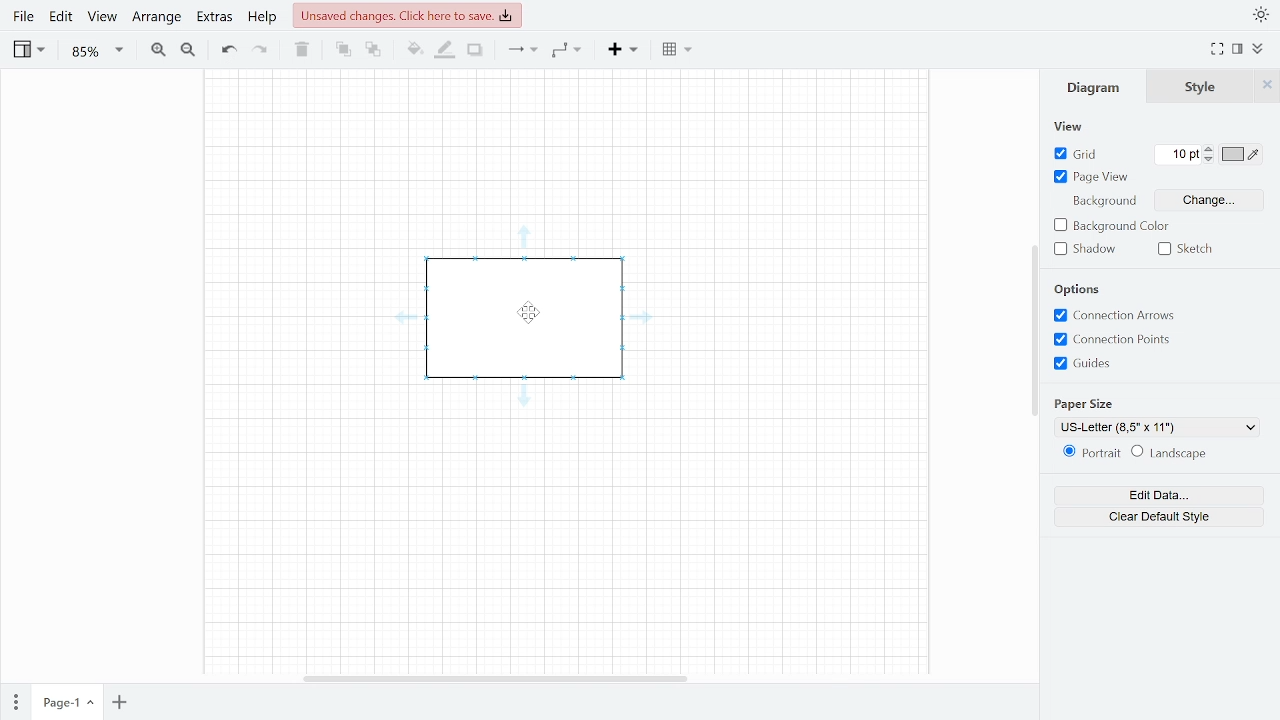  I want to click on change, so click(1192, 200).